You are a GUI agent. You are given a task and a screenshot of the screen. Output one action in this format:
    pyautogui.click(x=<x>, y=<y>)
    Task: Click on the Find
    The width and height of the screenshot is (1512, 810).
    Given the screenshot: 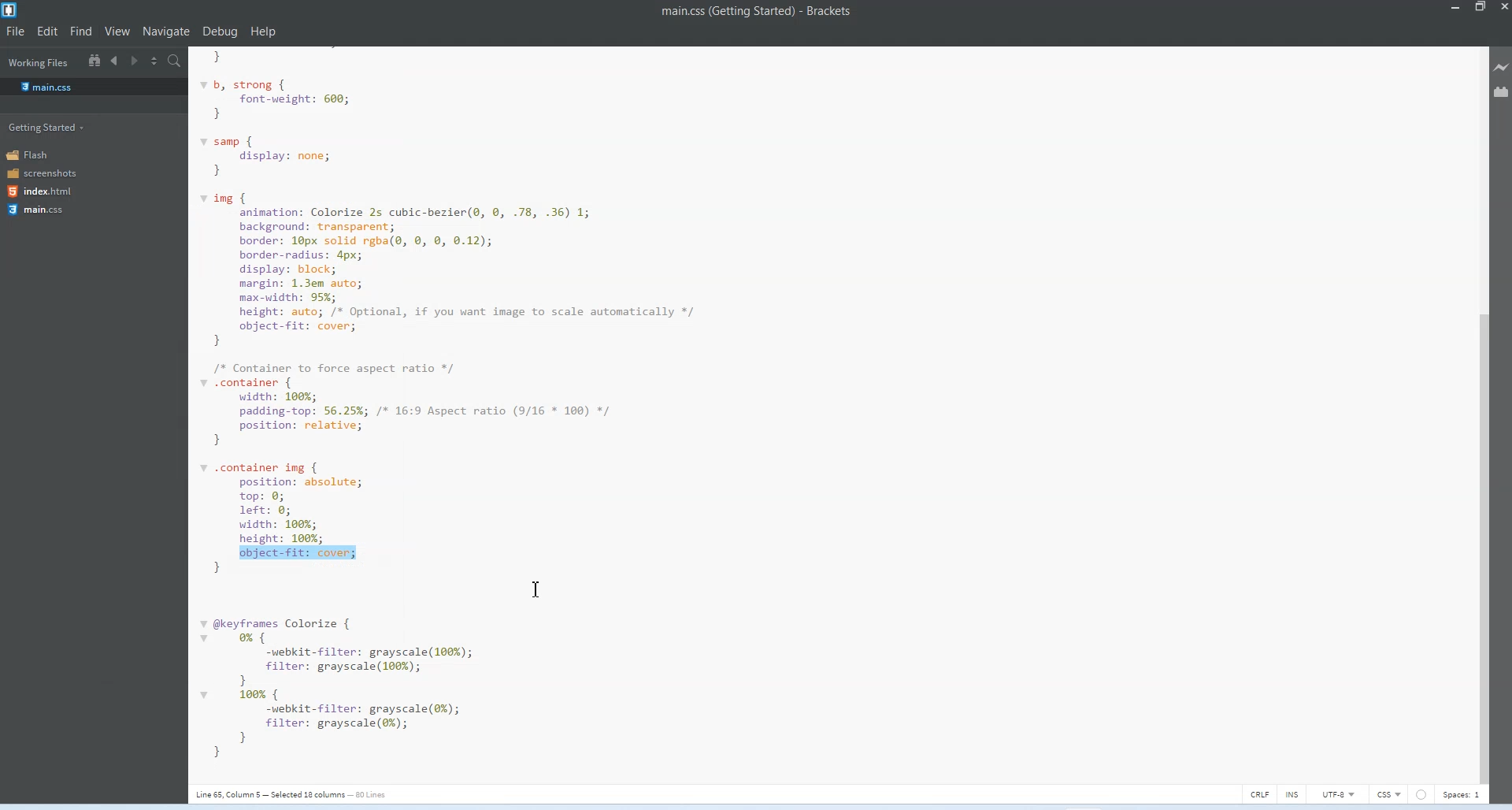 What is the action you would take?
    pyautogui.click(x=80, y=30)
    